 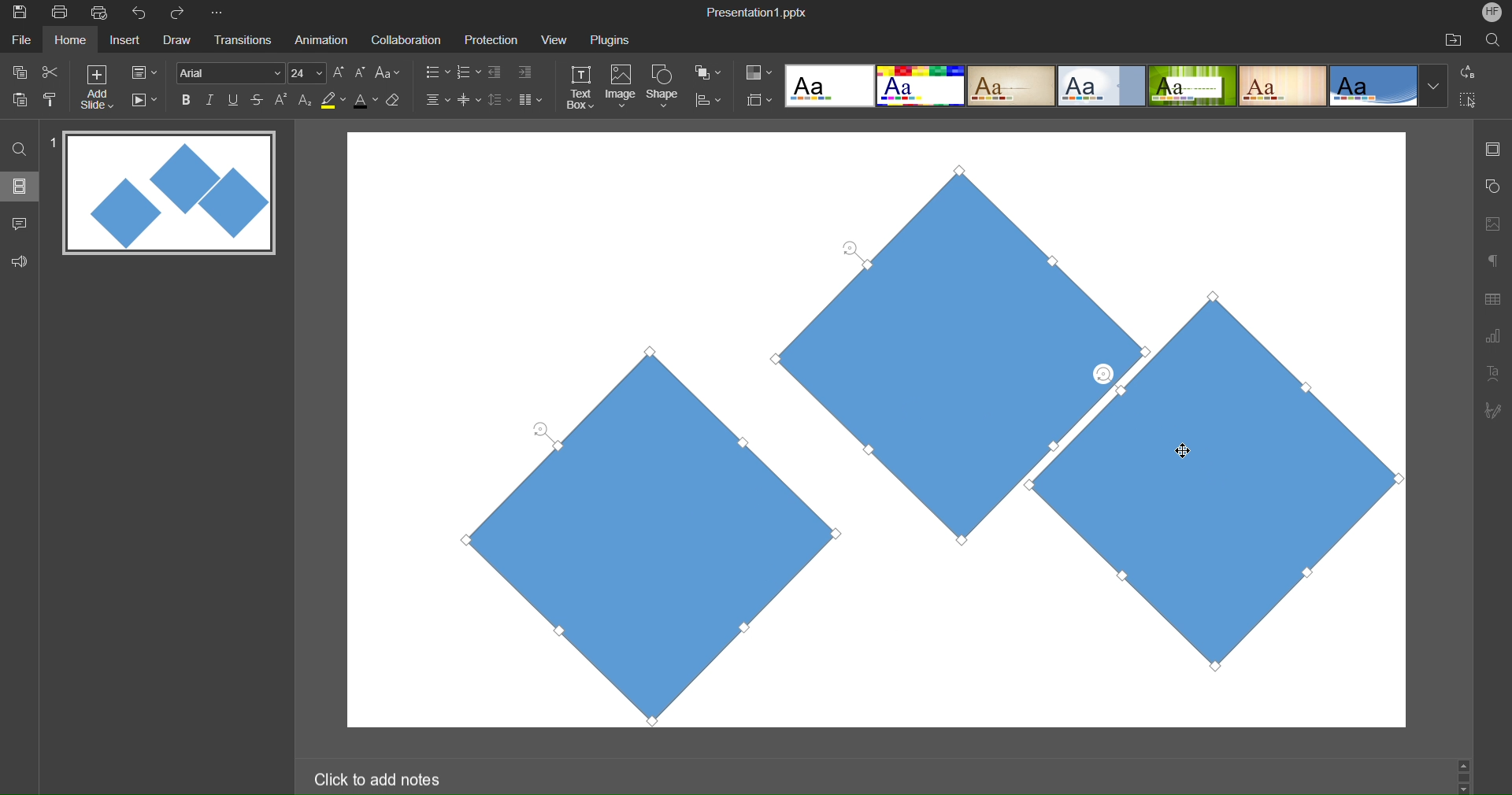 I want to click on Text Color, so click(x=365, y=99).